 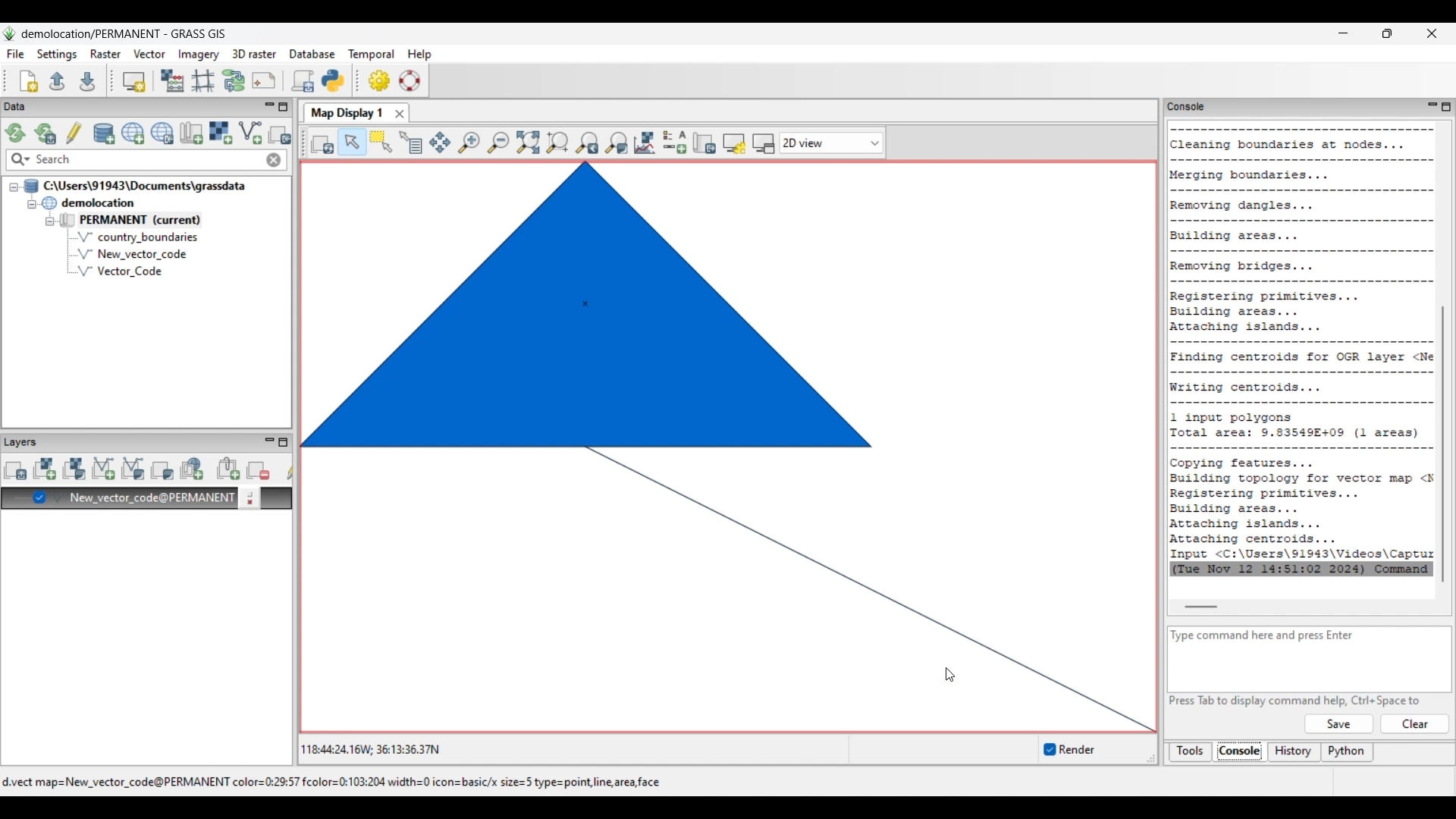 What do you see at coordinates (172, 80) in the screenshot?
I see `Raster map calculator` at bounding box center [172, 80].